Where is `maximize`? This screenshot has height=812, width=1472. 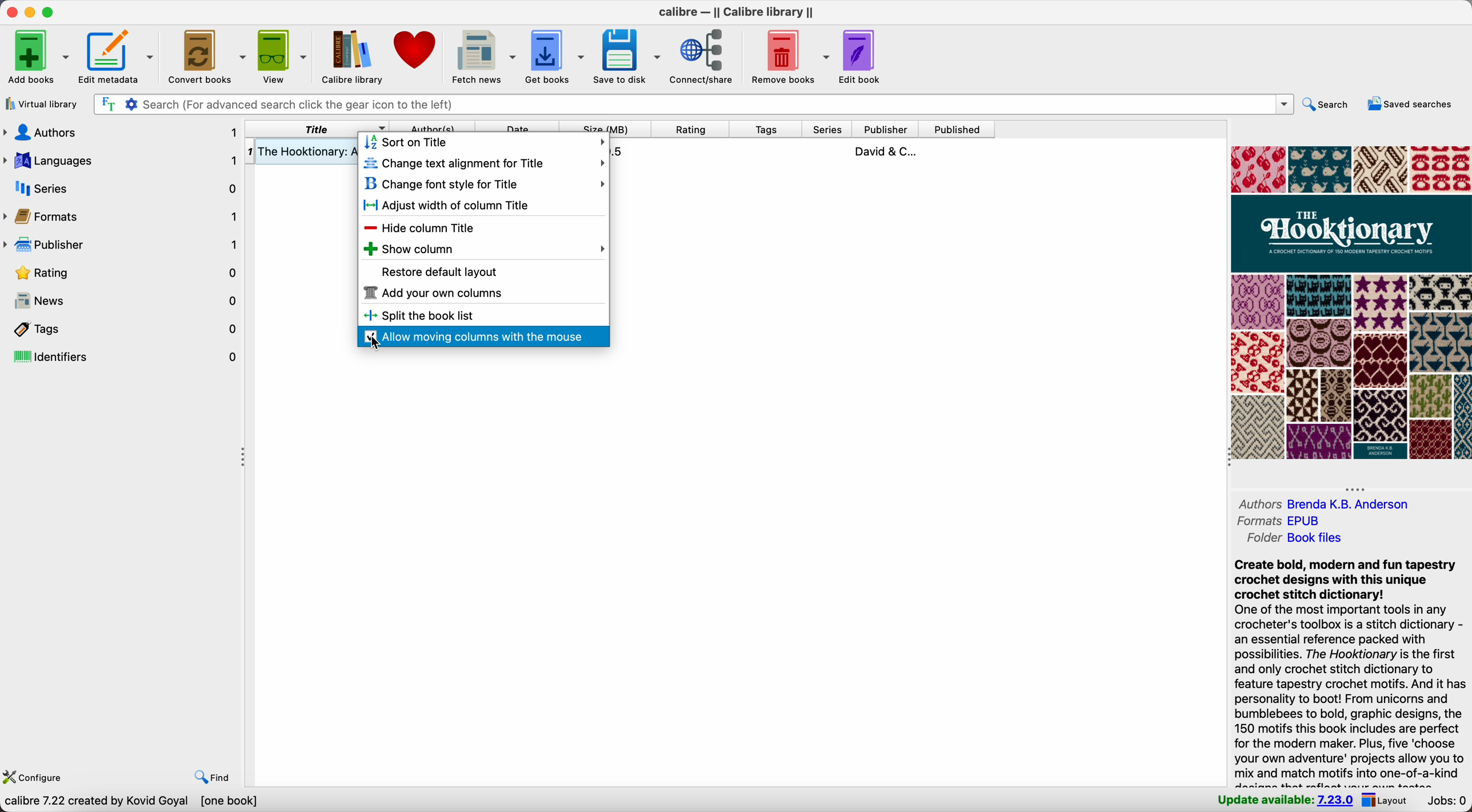 maximize is located at coordinates (51, 12).